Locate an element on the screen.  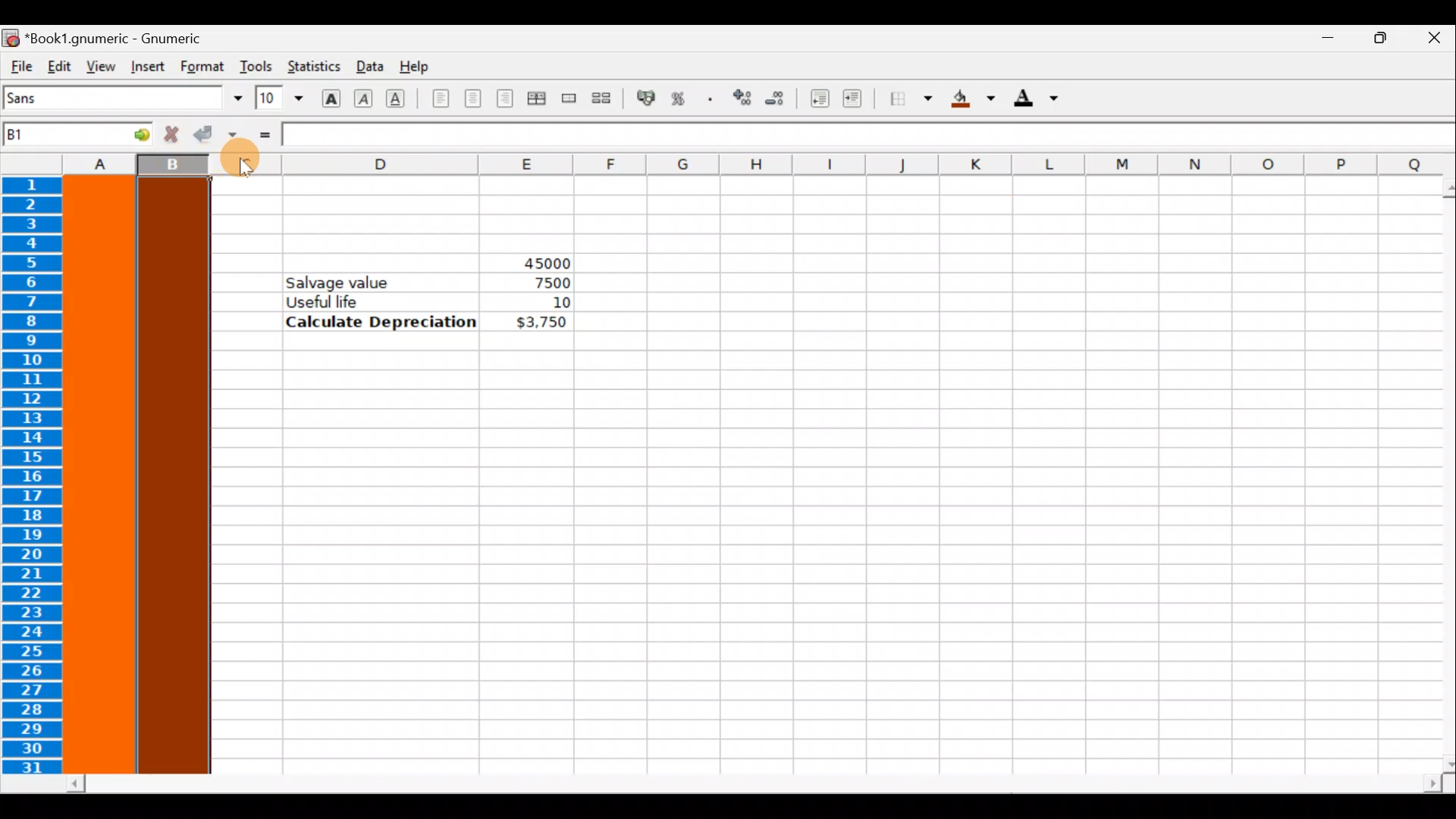
Background is located at coordinates (974, 99).